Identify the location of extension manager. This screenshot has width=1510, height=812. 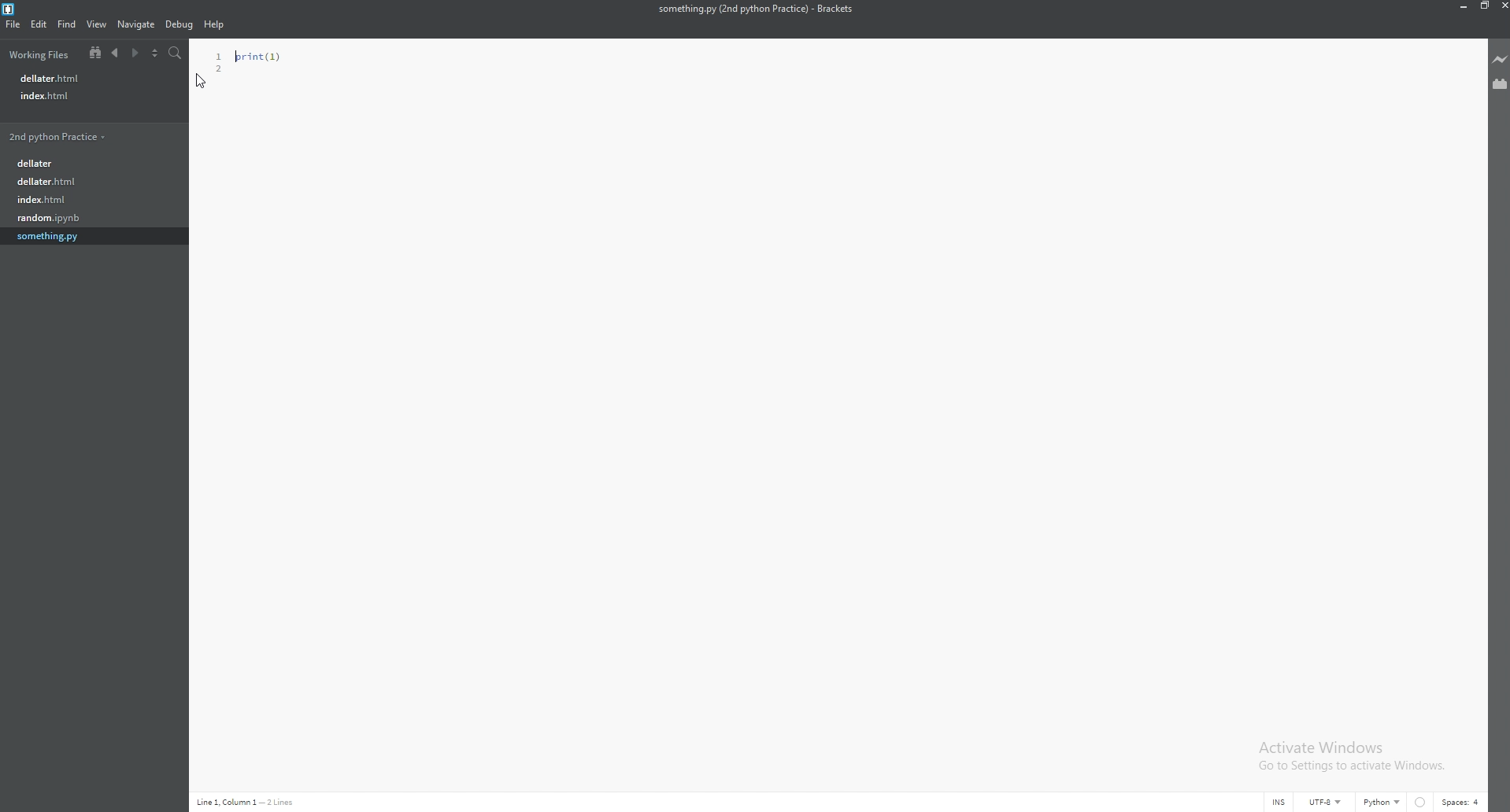
(1499, 84).